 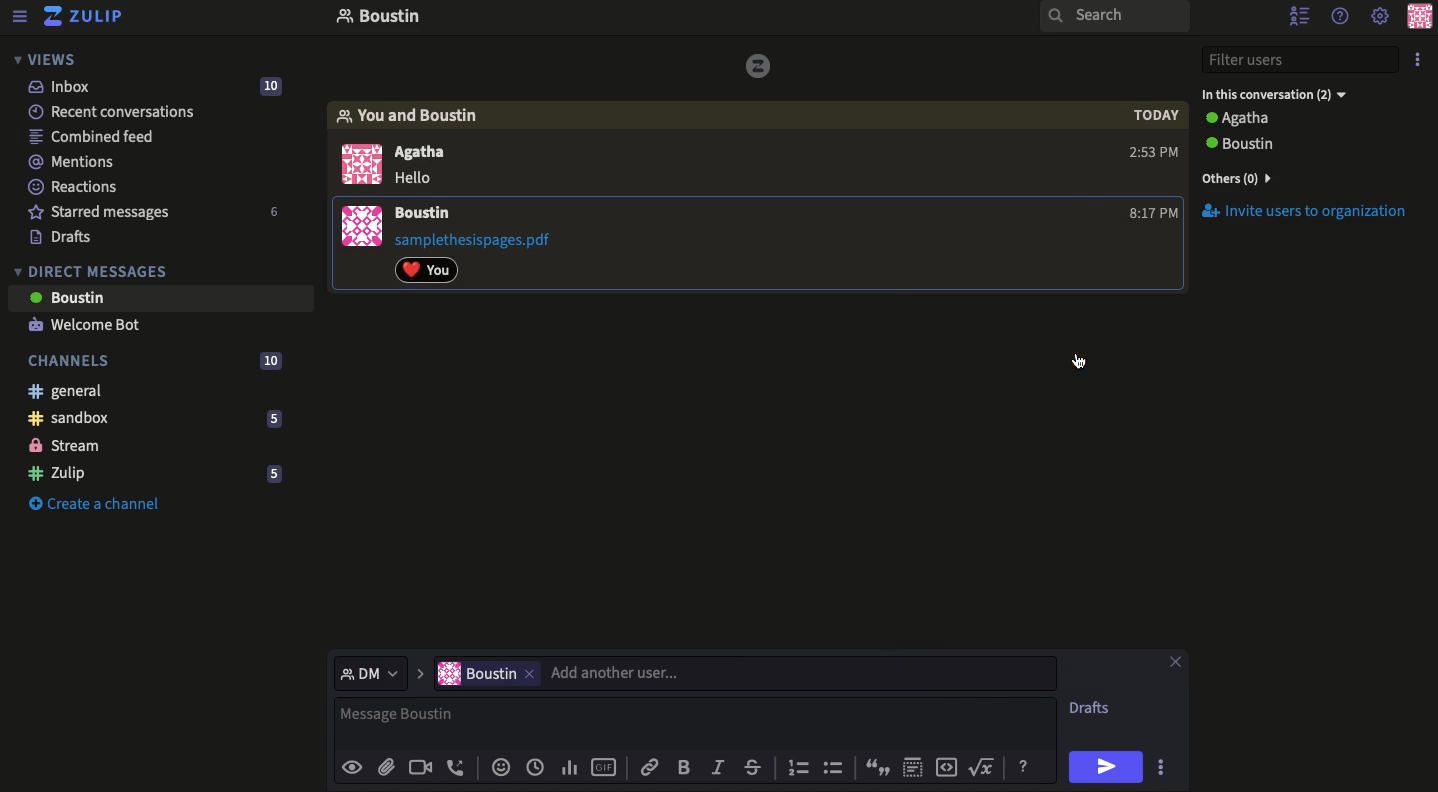 What do you see at coordinates (21, 14) in the screenshot?
I see `Menu` at bounding box center [21, 14].